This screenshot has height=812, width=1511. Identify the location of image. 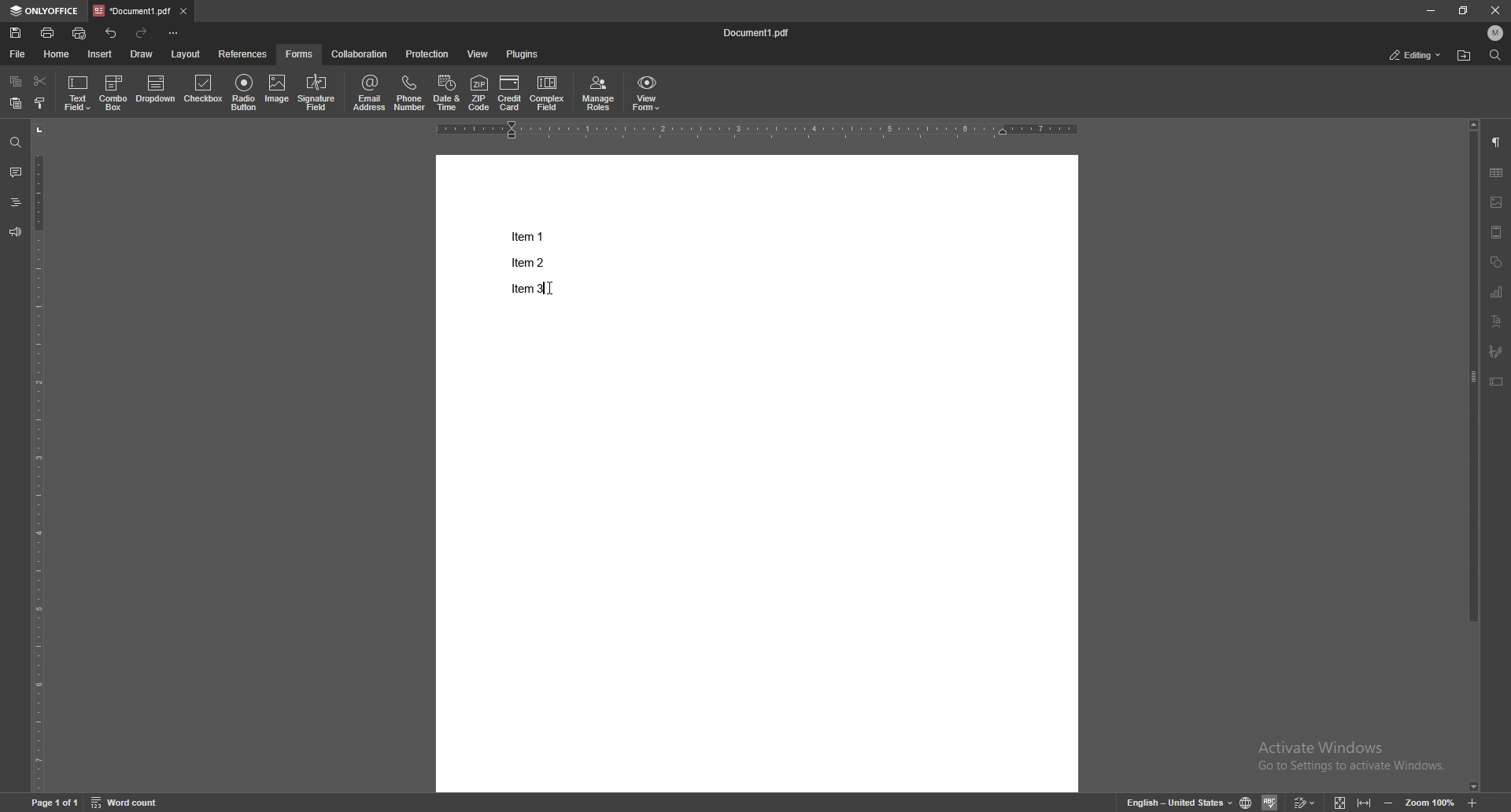
(278, 91).